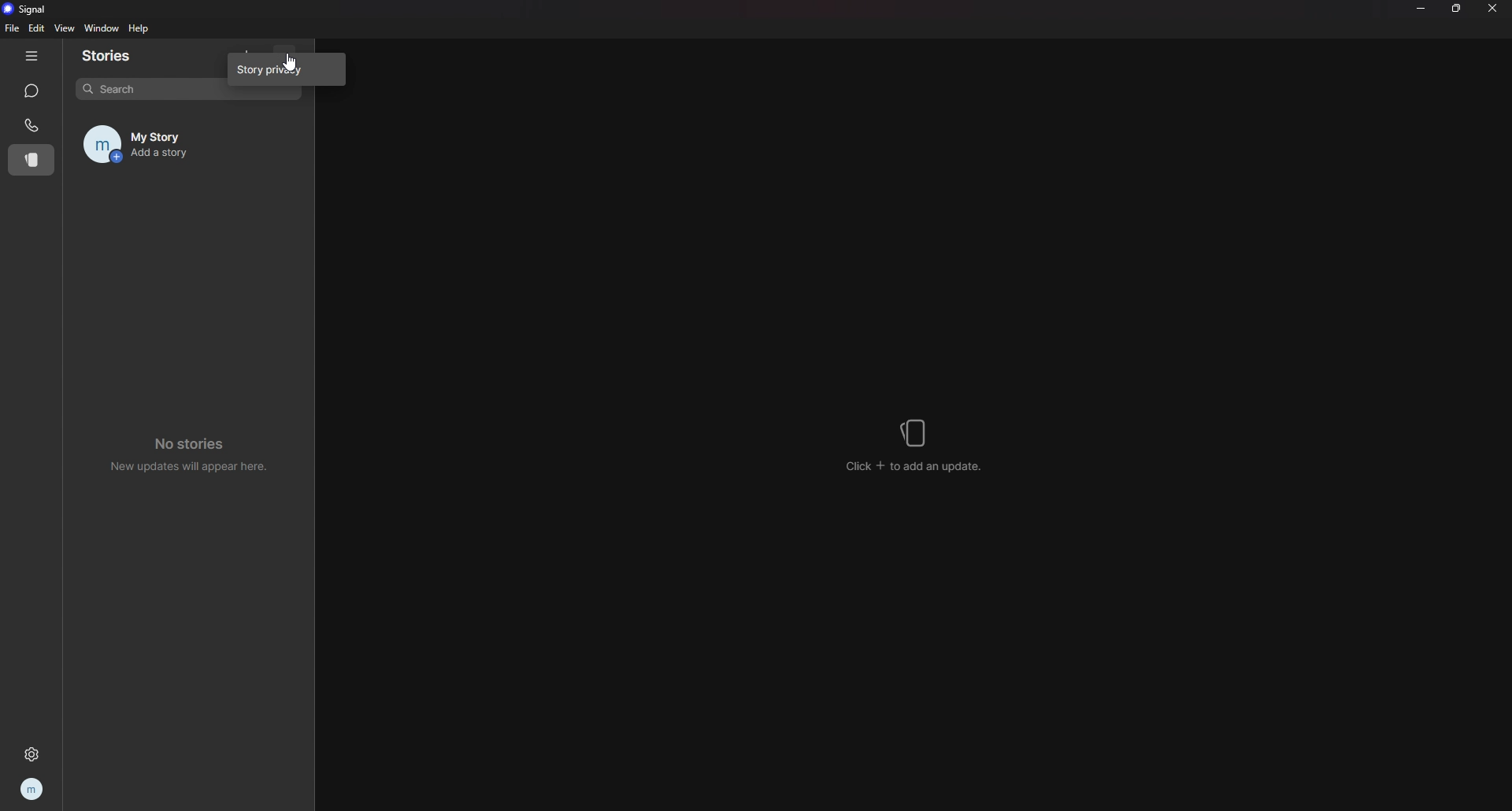 The image size is (1512, 811). I want to click on stories, so click(32, 160).